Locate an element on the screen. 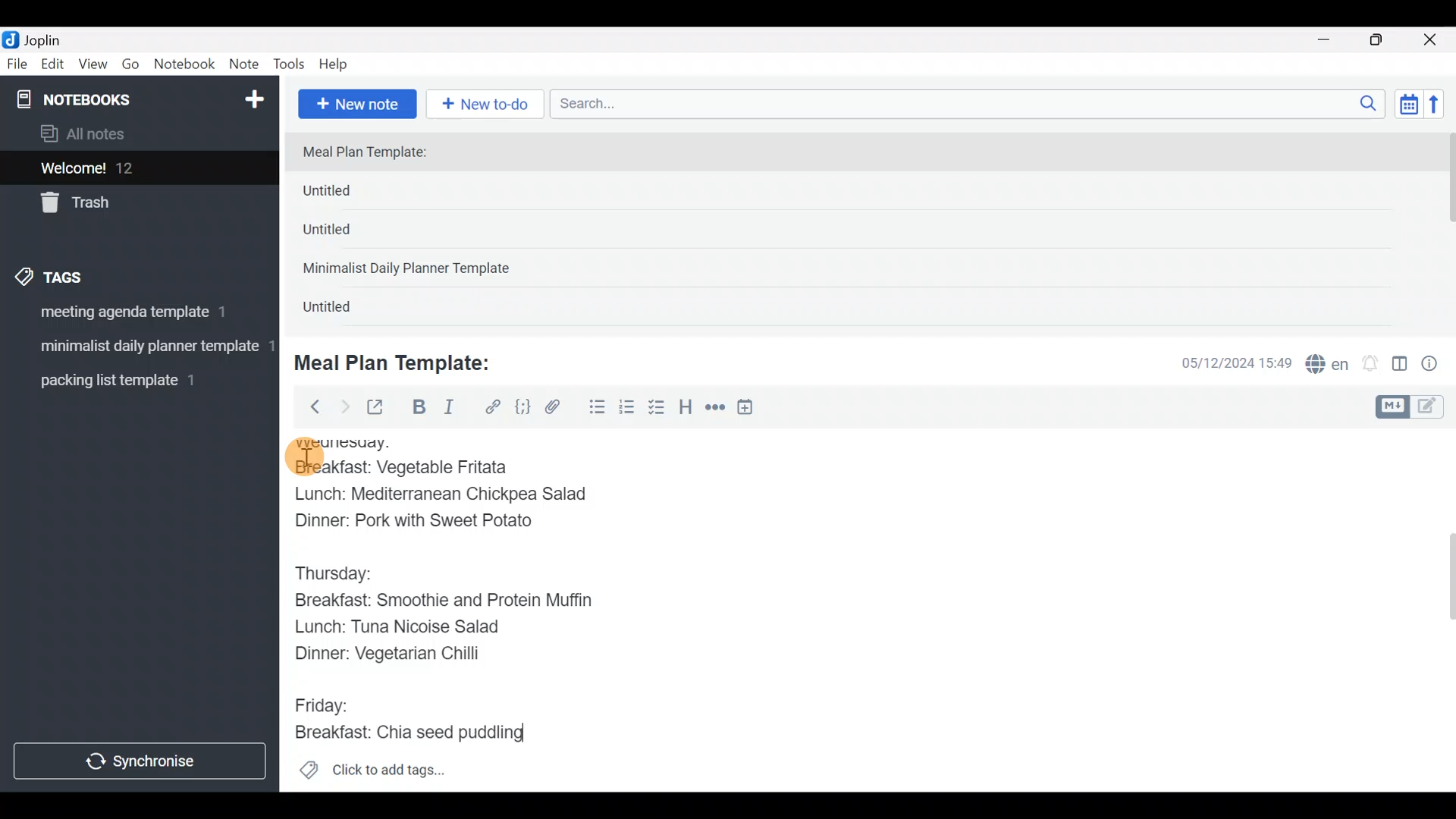 This screenshot has height=819, width=1456. Dinner: Vegetarian Chilli is located at coordinates (395, 654).